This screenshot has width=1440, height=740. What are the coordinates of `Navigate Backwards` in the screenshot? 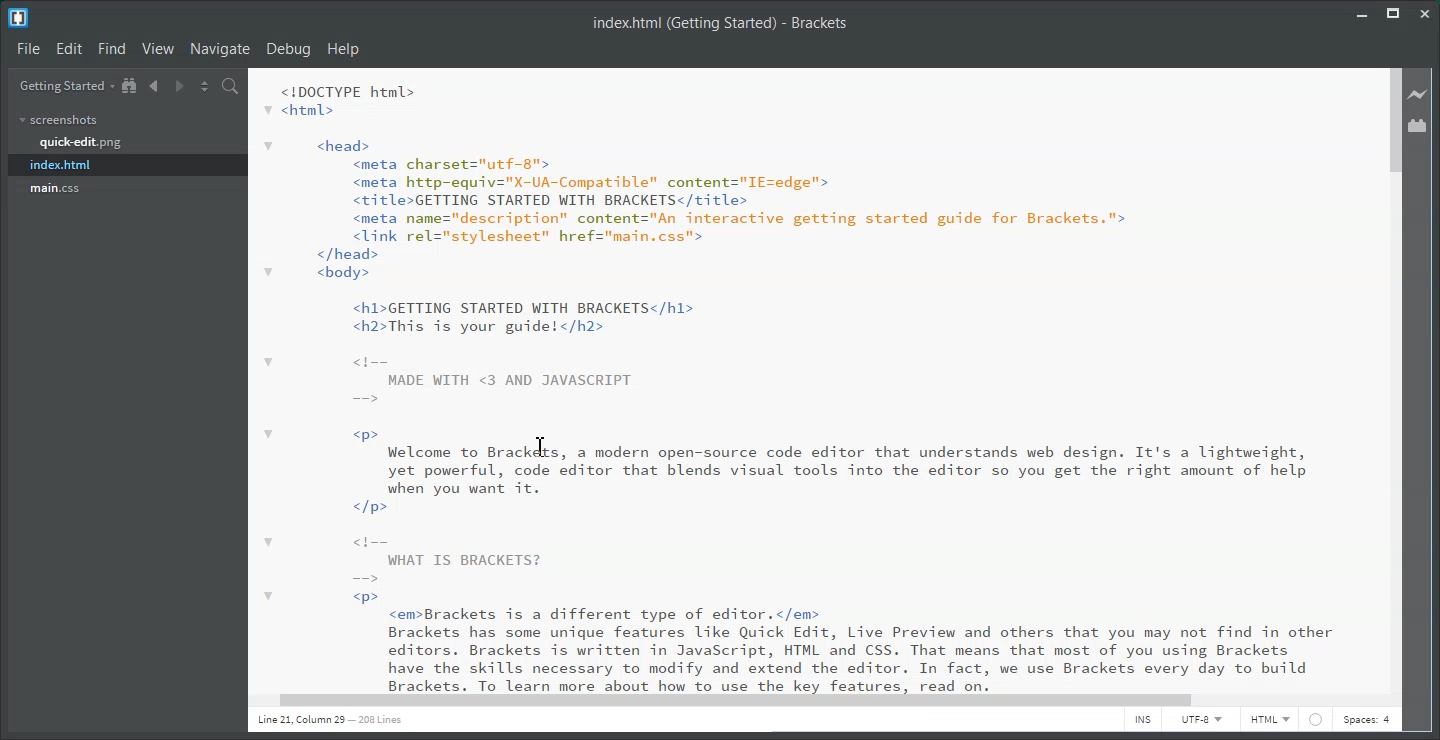 It's located at (154, 86).